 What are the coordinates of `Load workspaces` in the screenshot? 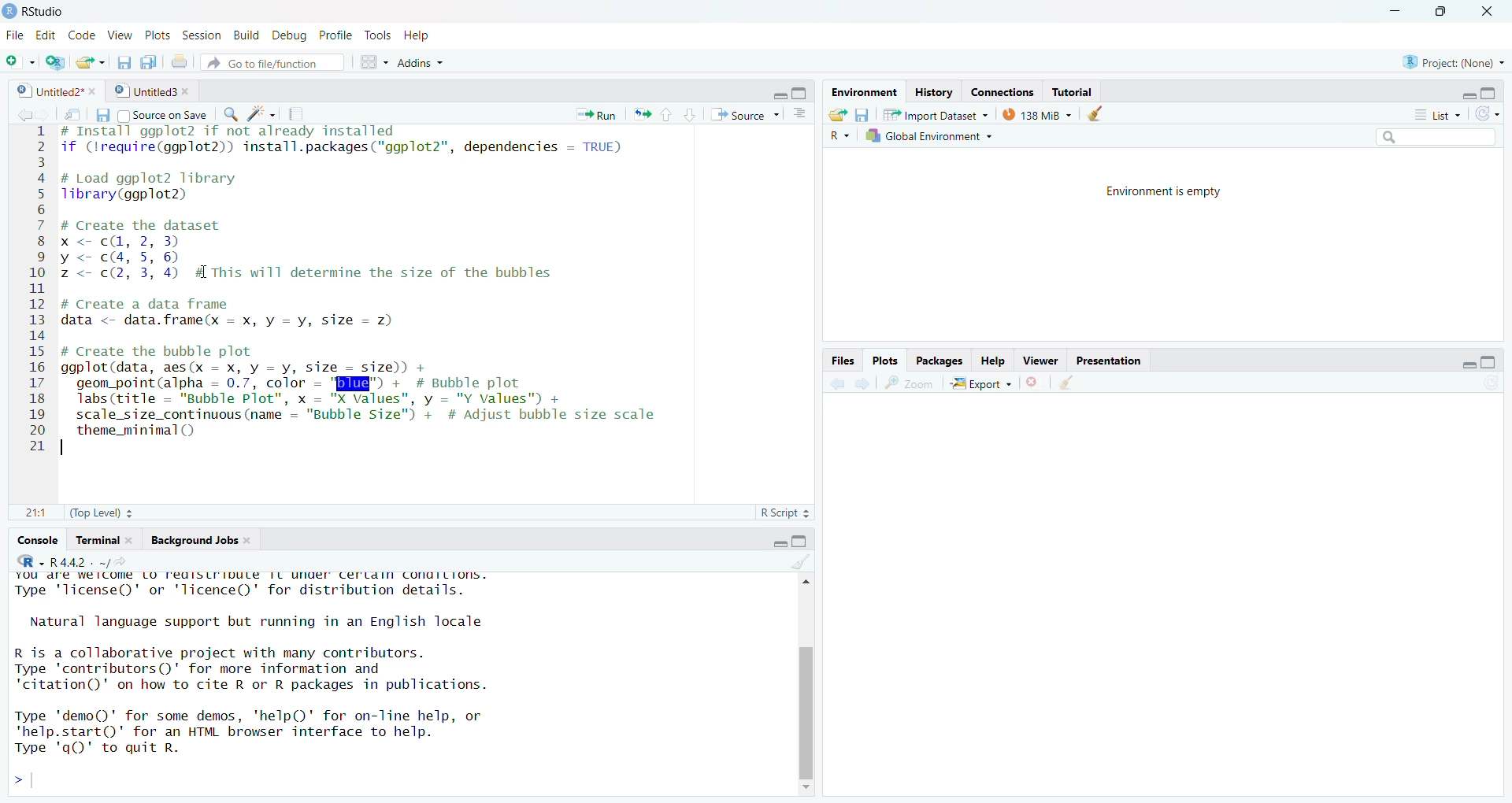 It's located at (840, 114).